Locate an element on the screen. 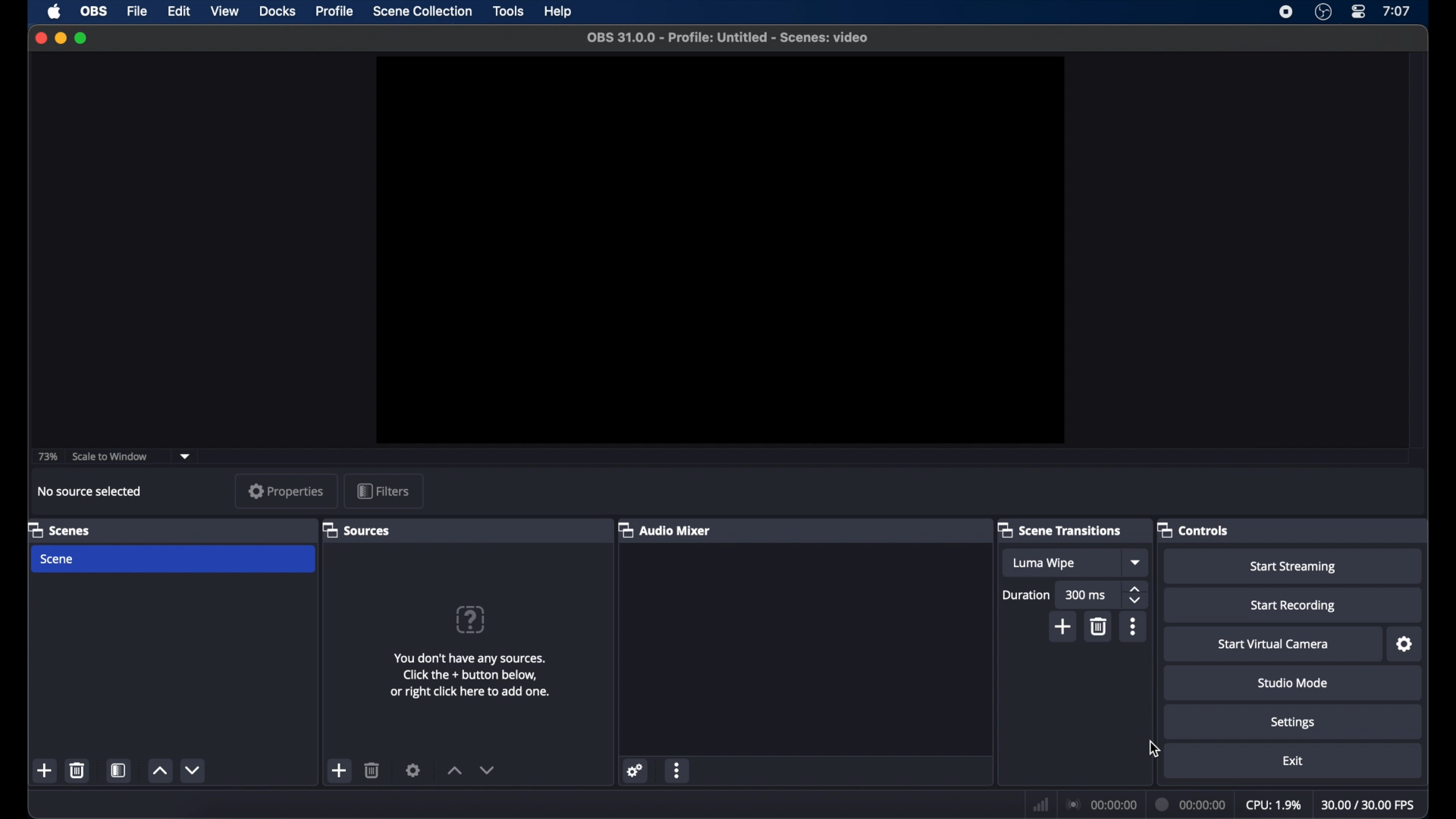 The height and width of the screenshot is (819, 1456). obs is located at coordinates (94, 10).